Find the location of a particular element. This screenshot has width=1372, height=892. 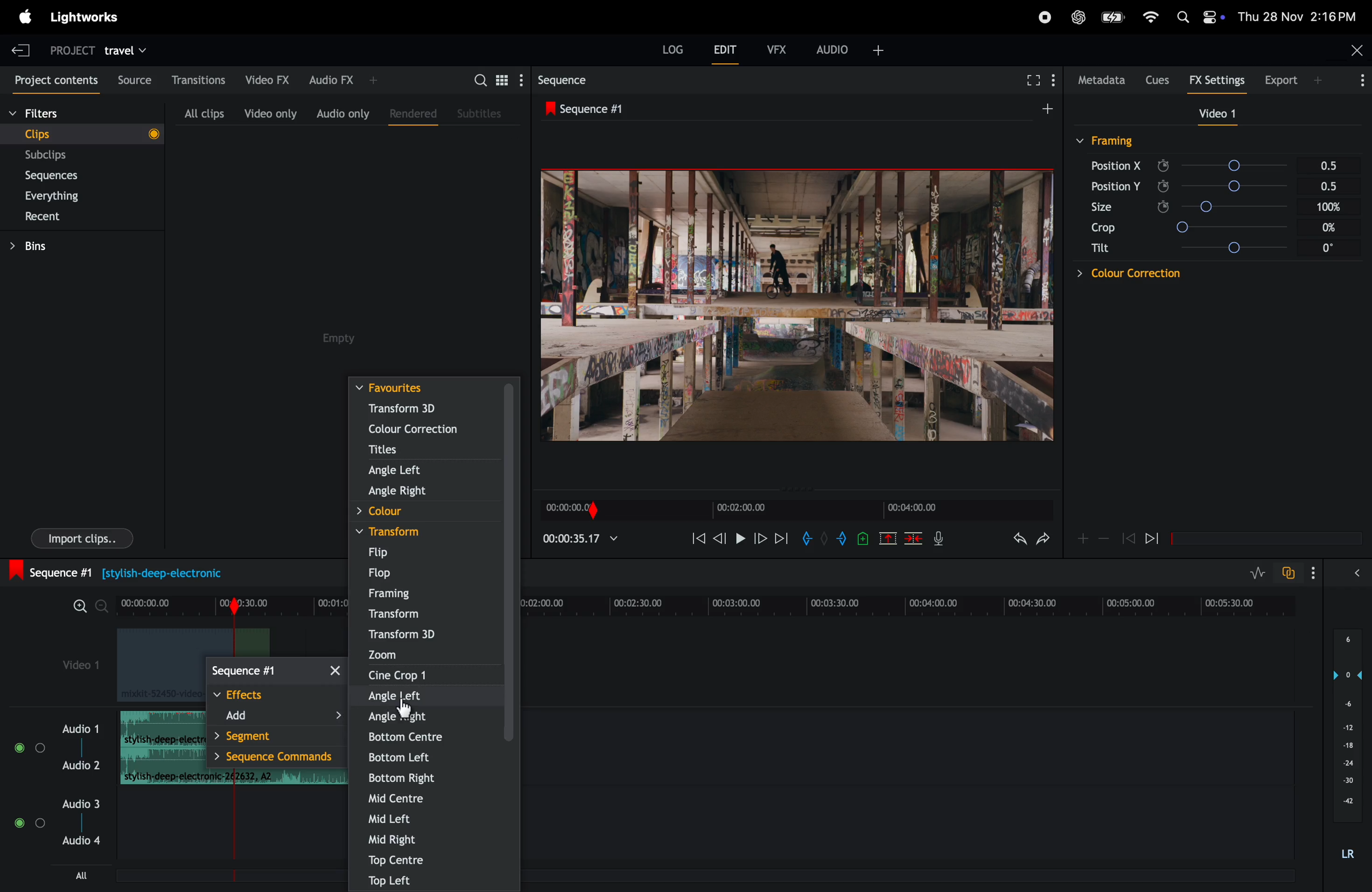

sequence is located at coordinates (276, 672).